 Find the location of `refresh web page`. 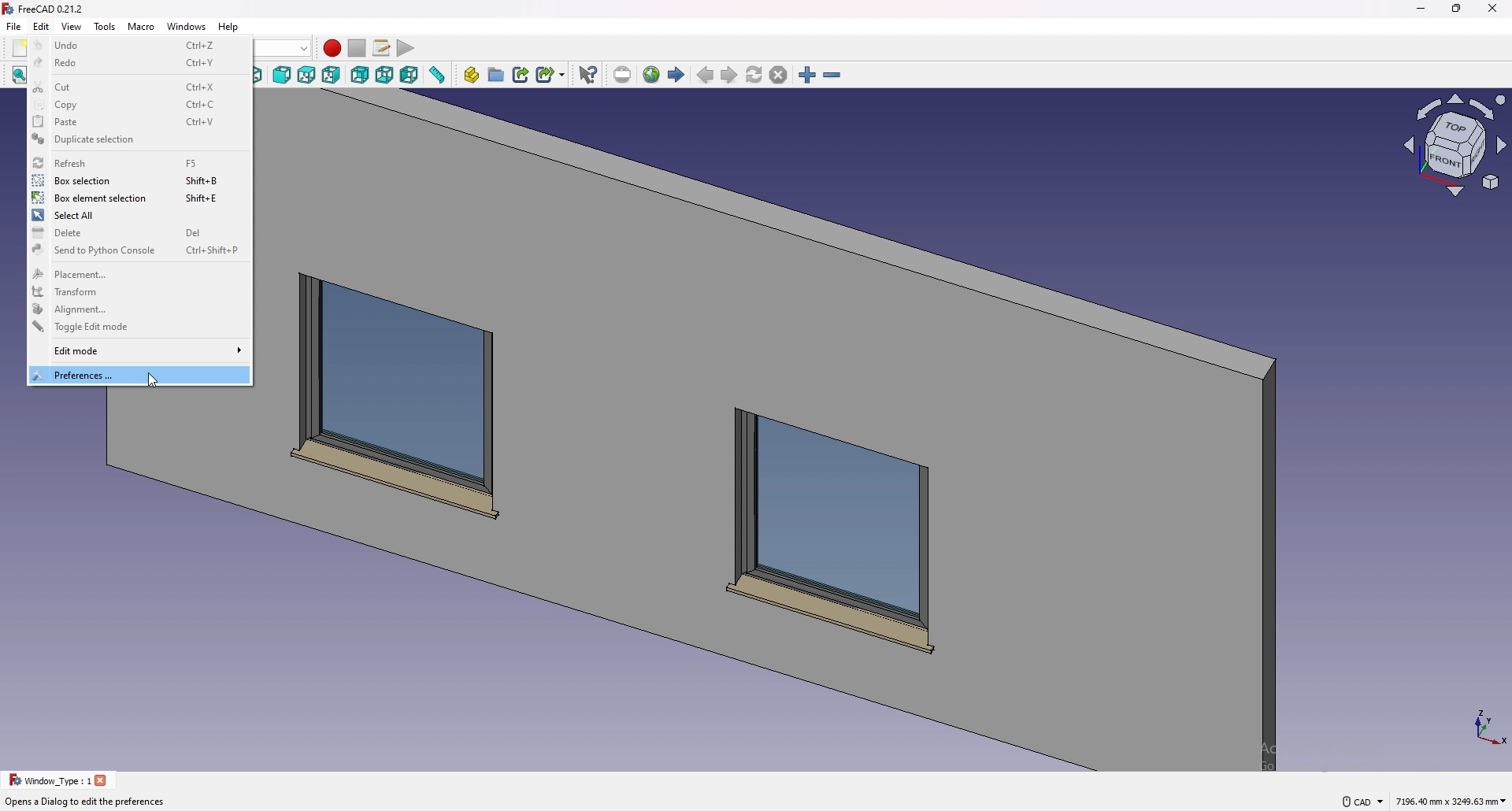

refresh web page is located at coordinates (755, 75).